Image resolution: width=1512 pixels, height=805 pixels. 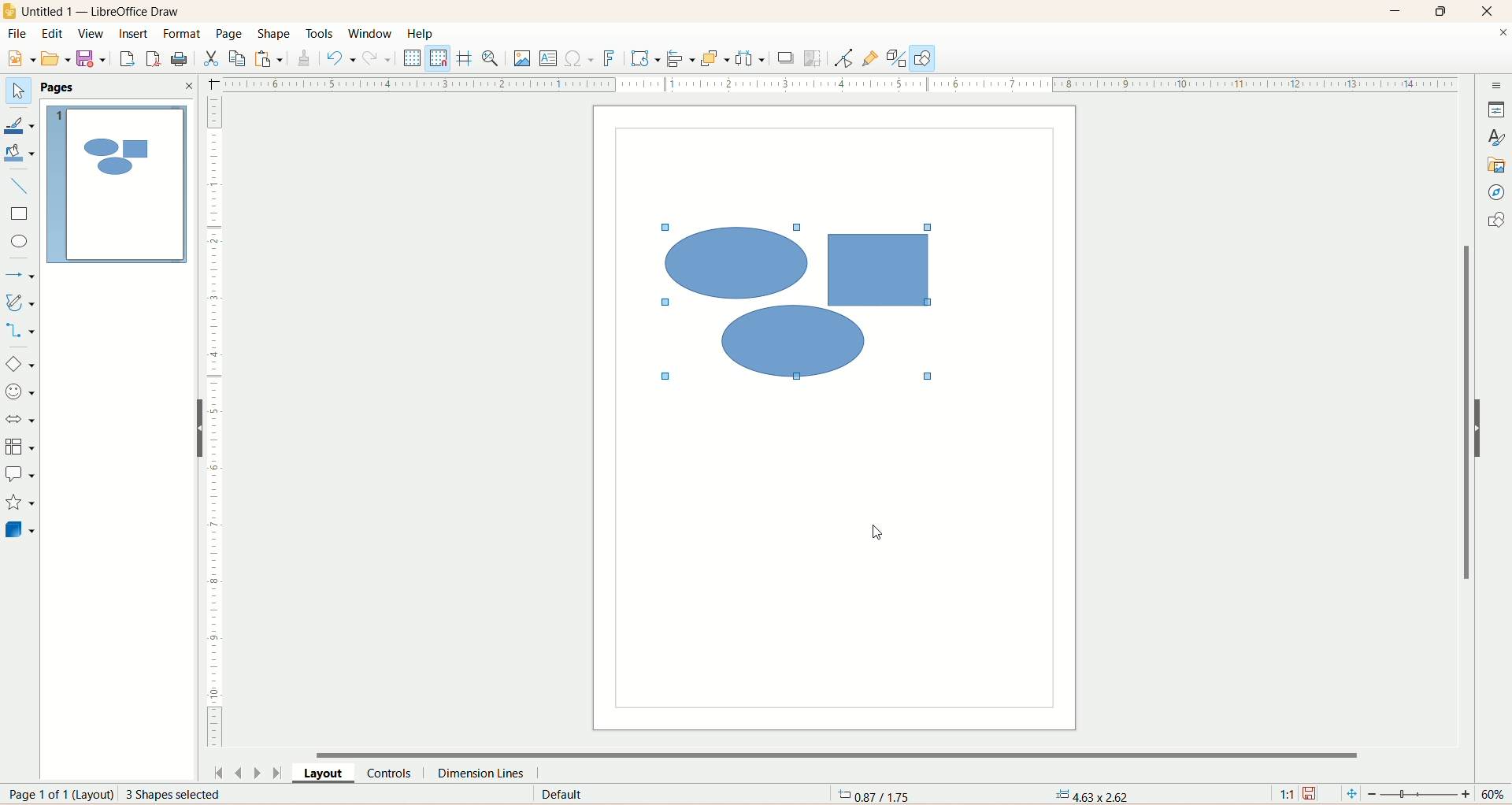 I want to click on draw function, so click(x=922, y=58).